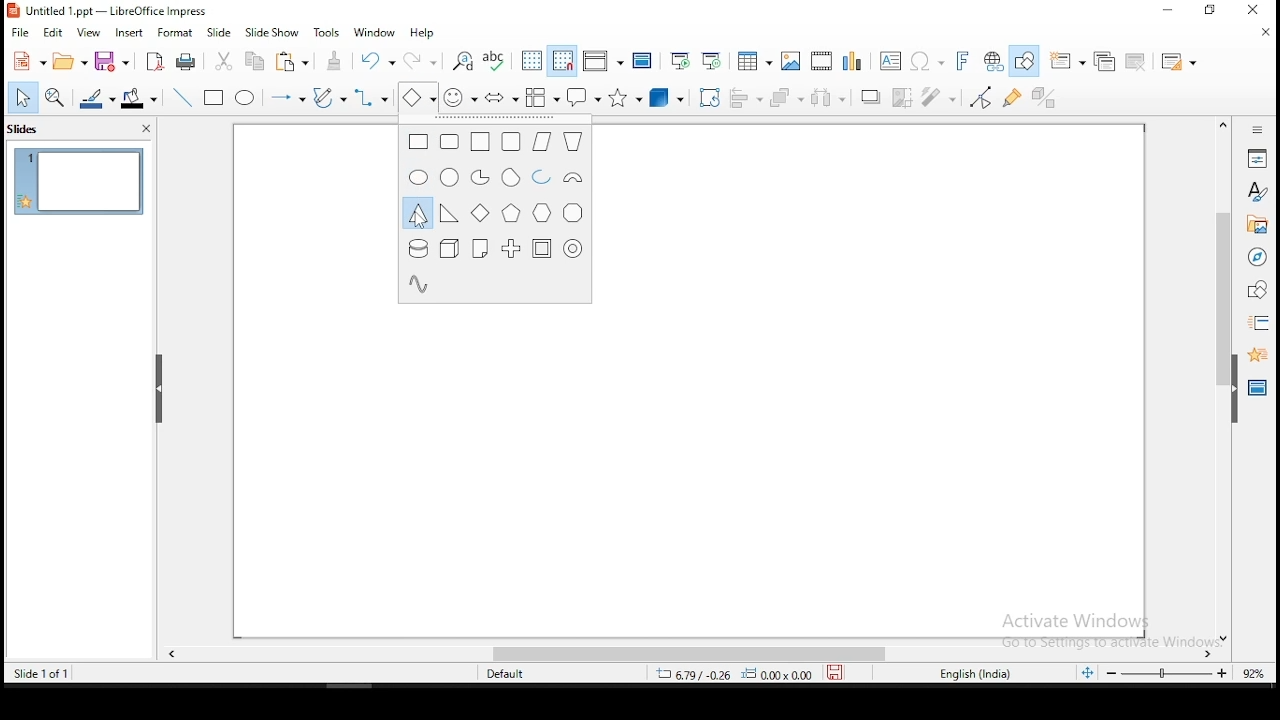 The width and height of the screenshot is (1280, 720). What do you see at coordinates (853, 59) in the screenshot?
I see `charts` at bounding box center [853, 59].